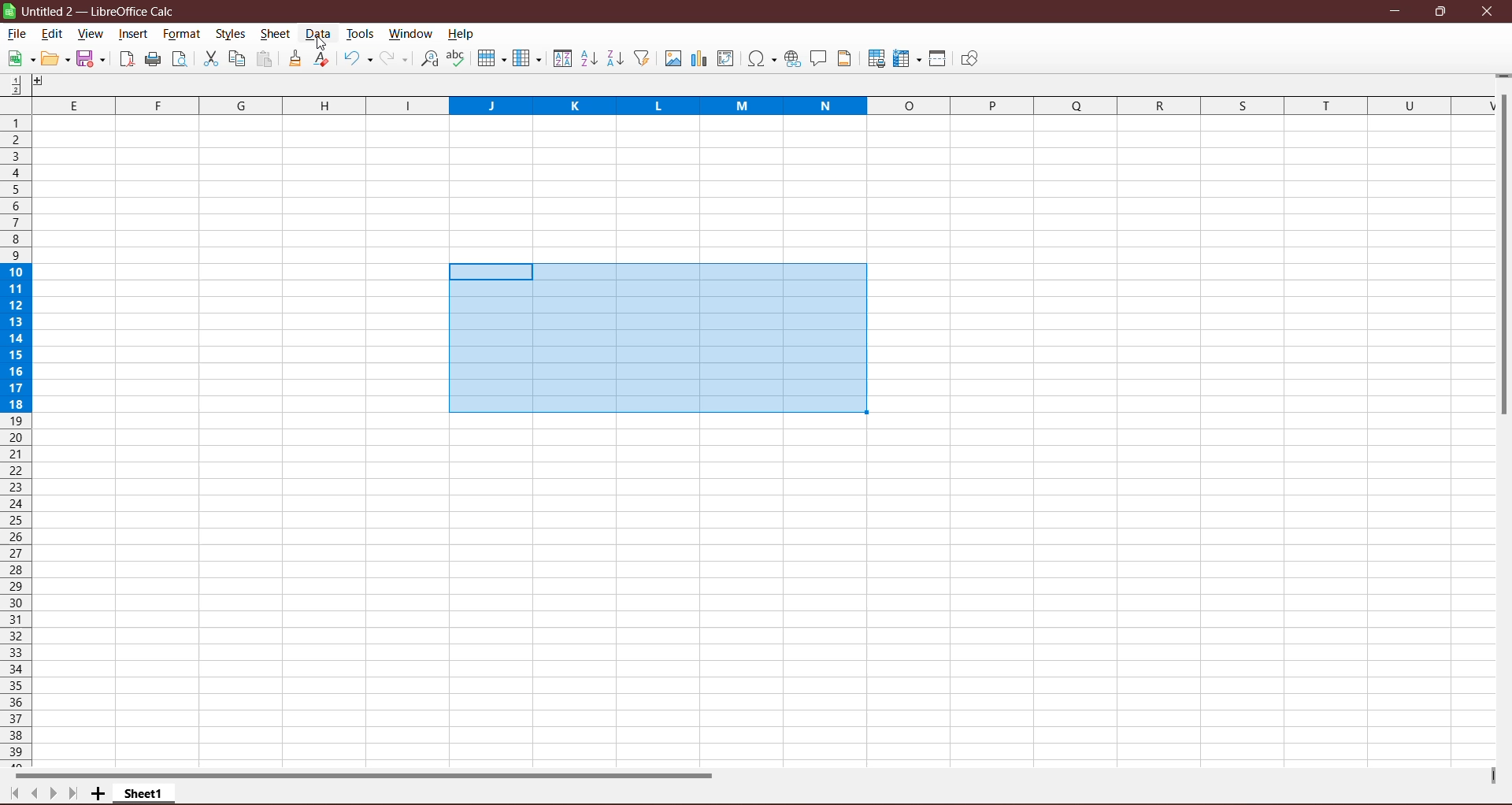 This screenshot has height=805, width=1512. Describe the element at coordinates (296, 58) in the screenshot. I see `Clone Formatting` at that location.